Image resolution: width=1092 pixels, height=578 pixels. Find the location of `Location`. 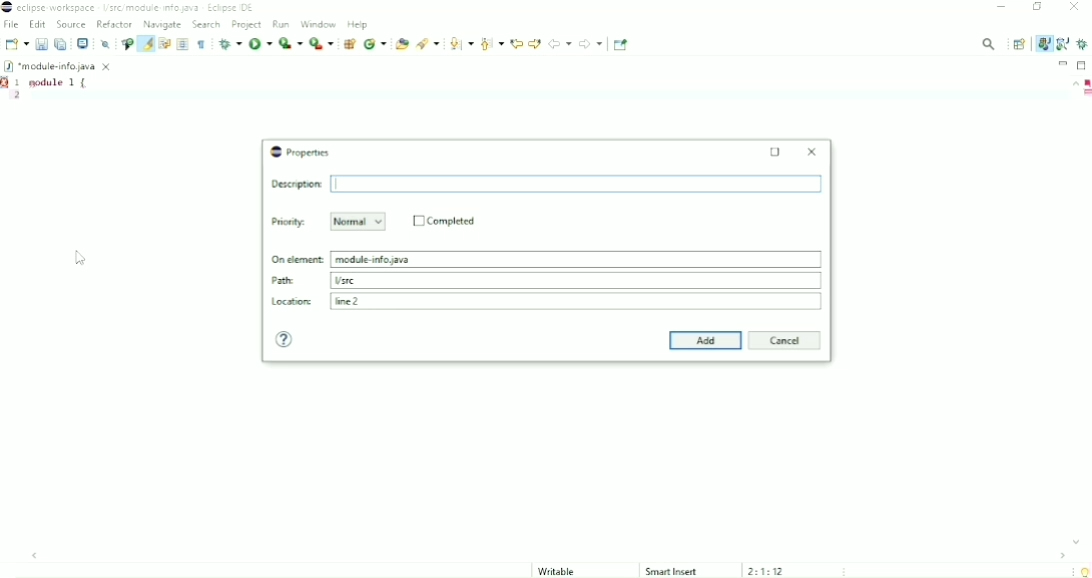

Location is located at coordinates (548, 301).